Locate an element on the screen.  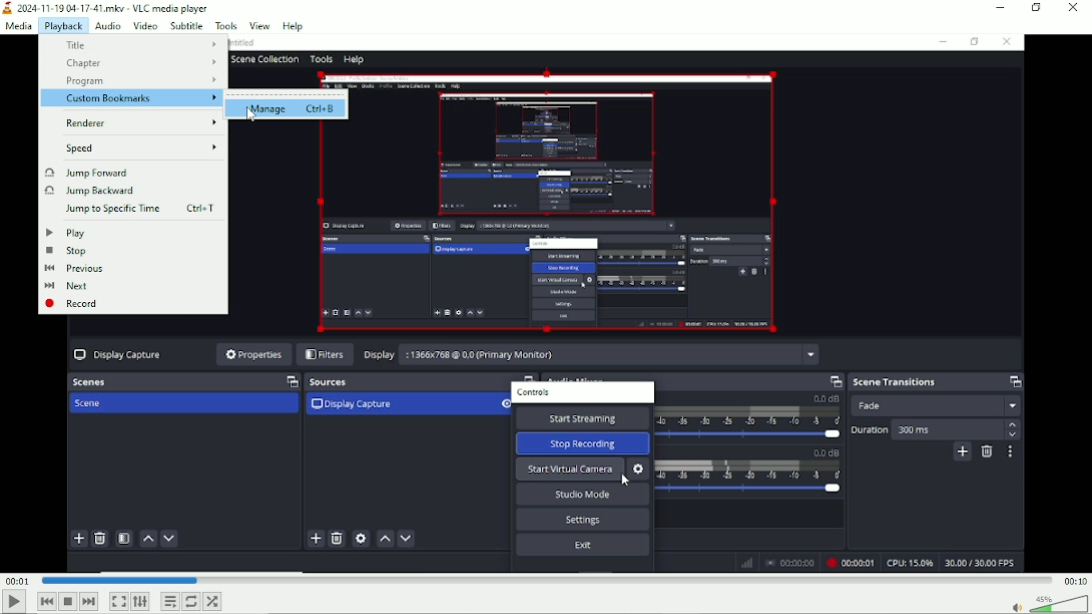
help is located at coordinates (295, 25).